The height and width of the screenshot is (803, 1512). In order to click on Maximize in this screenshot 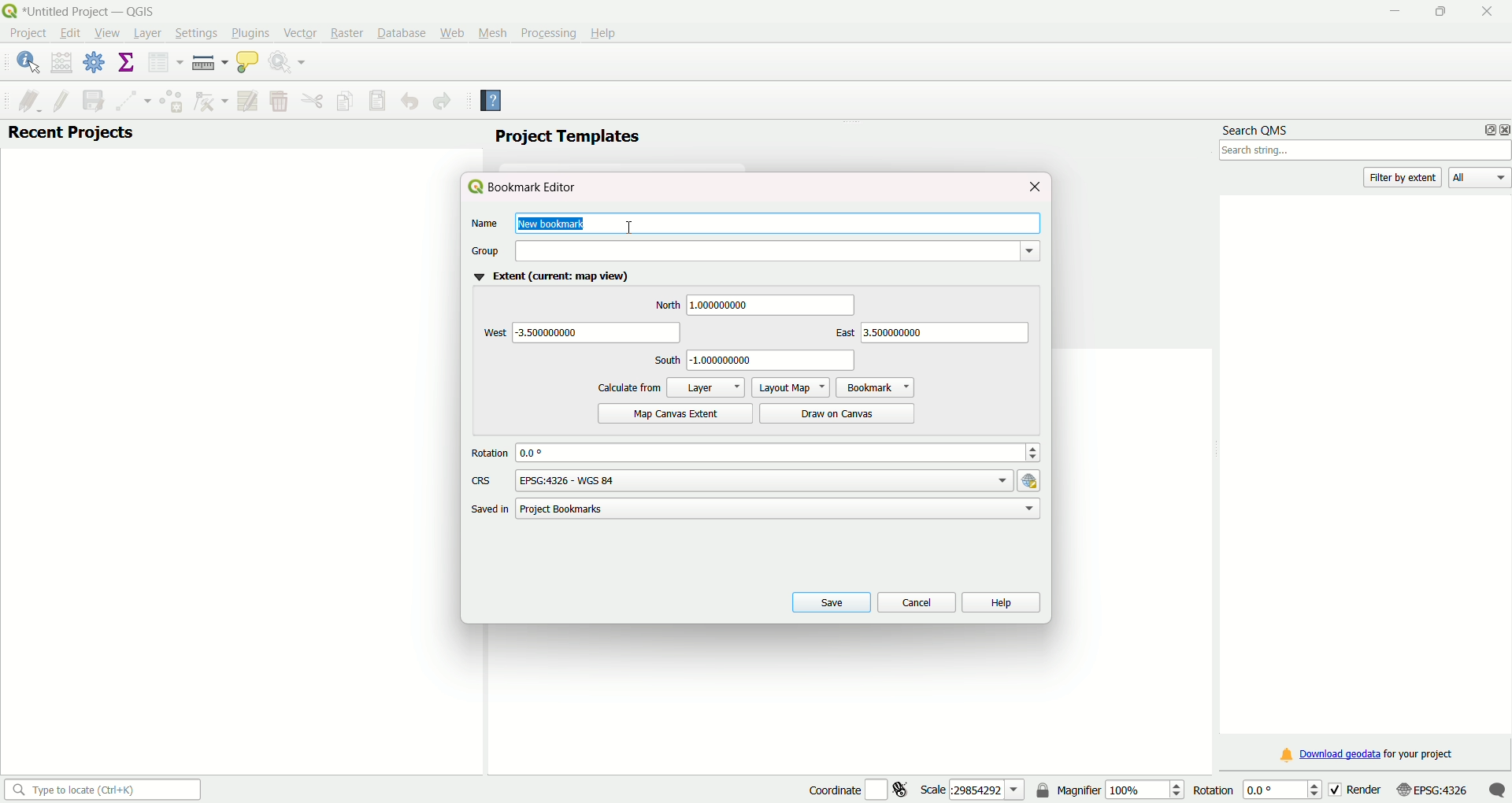, I will do `click(1440, 13)`.